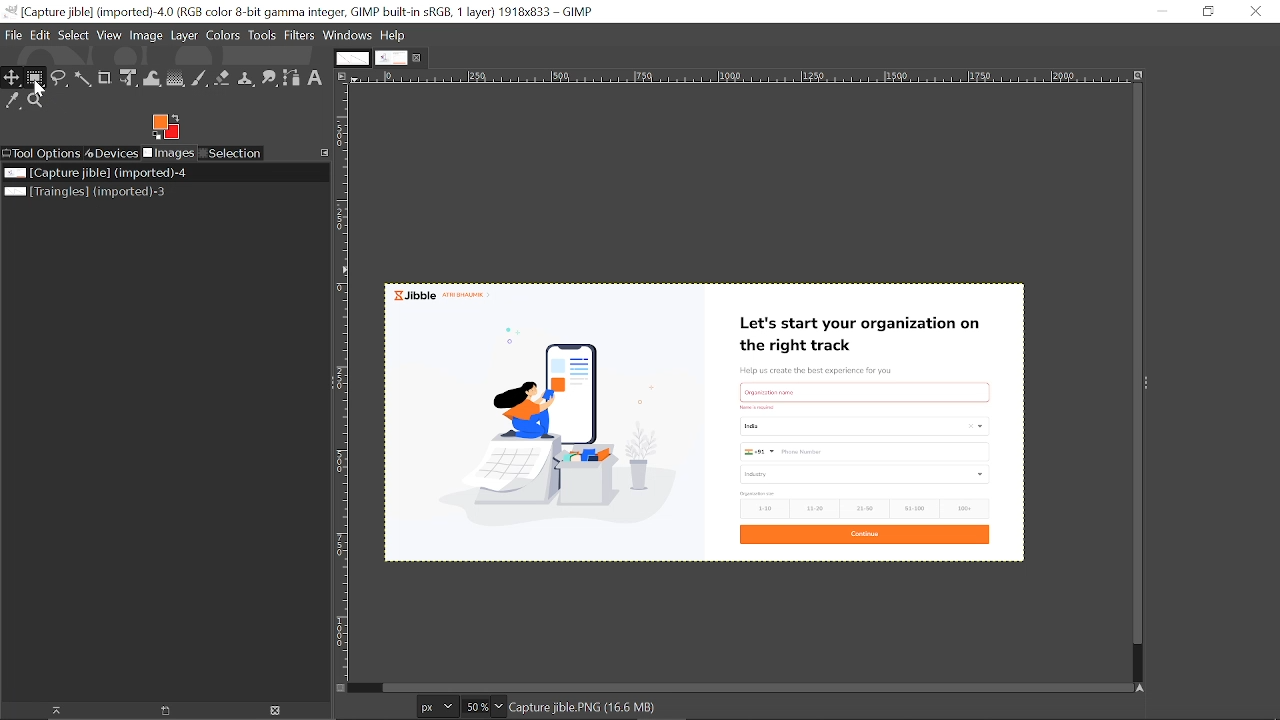  Describe the element at coordinates (172, 154) in the screenshot. I see `Images` at that location.